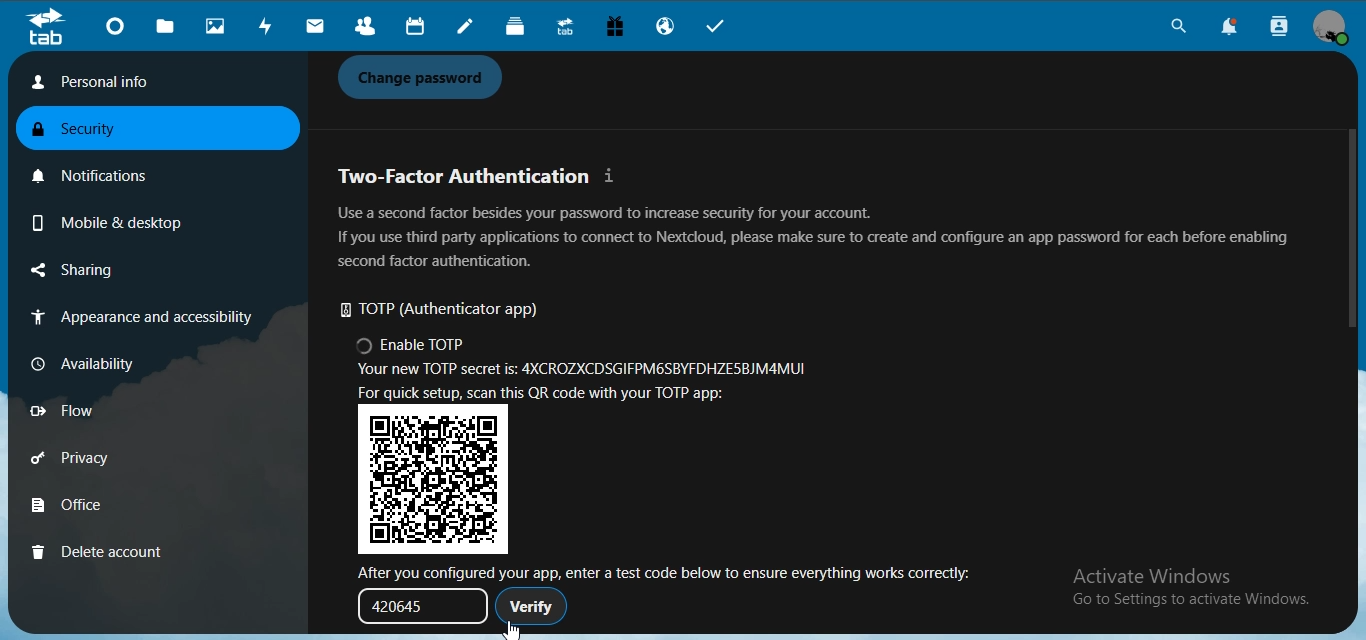  What do you see at coordinates (1280, 27) in the screenshot?
I see `search contacts` at bounding box center [1280, 27].